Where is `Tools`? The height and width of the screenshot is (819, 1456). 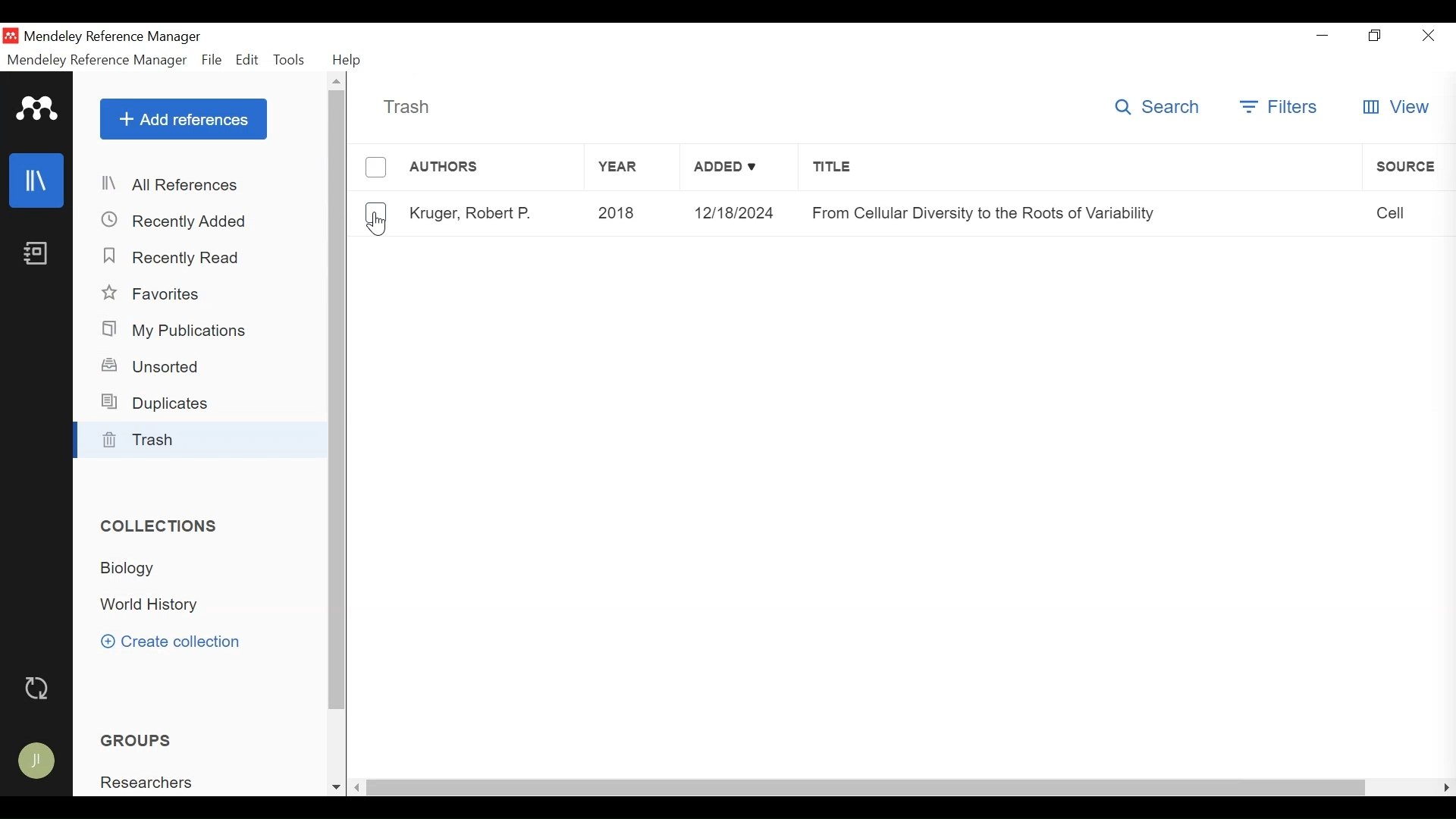 Tools is located at coordinates (290, 60).